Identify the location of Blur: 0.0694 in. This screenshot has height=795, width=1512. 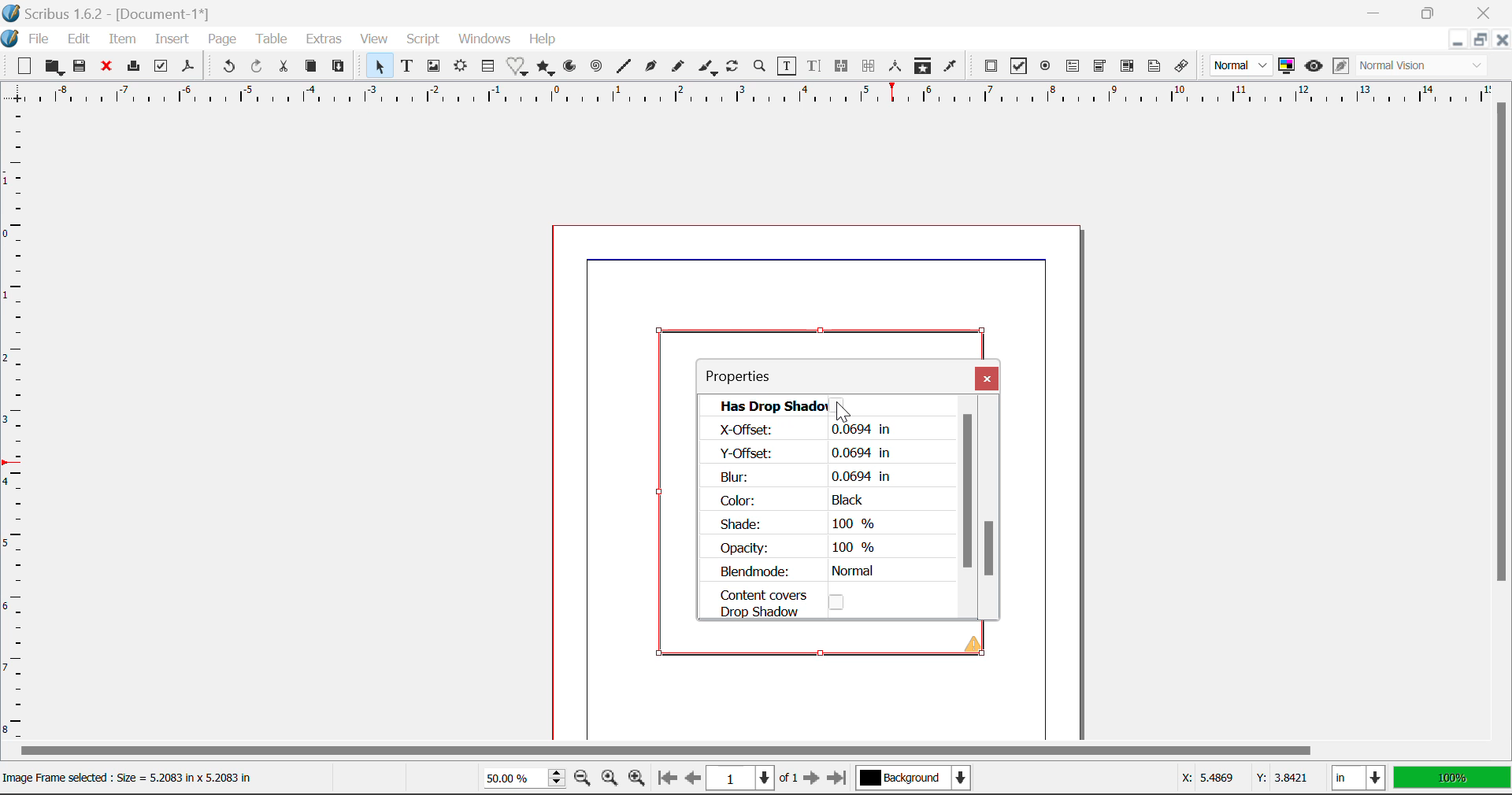
(805, 476).